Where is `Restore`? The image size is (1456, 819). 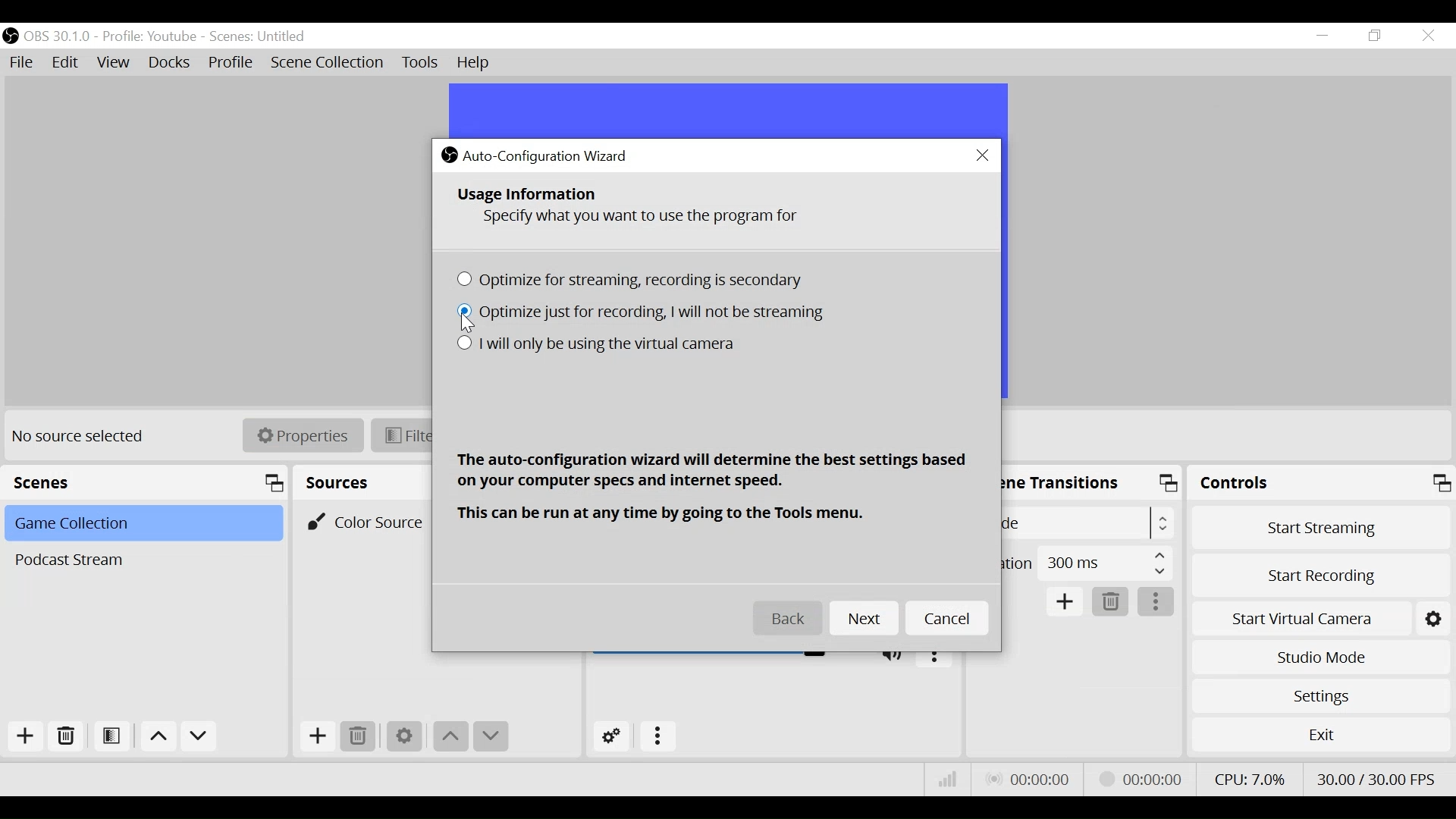
Restore is located at coordinates (1373, 36).